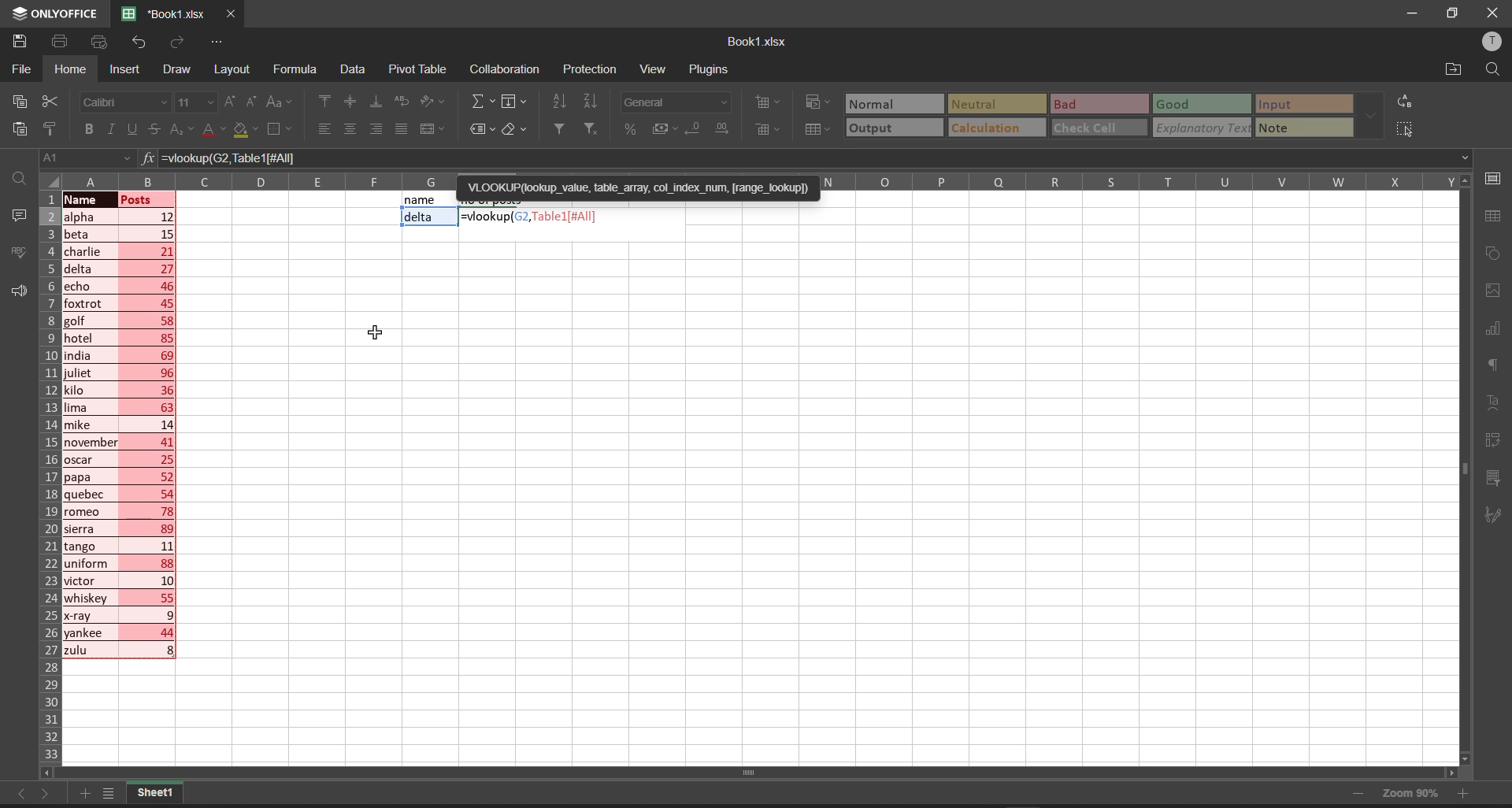 Image resolution: width=1512 pixels, height=808 pixels. I want to click on filter, so click(558, 128).